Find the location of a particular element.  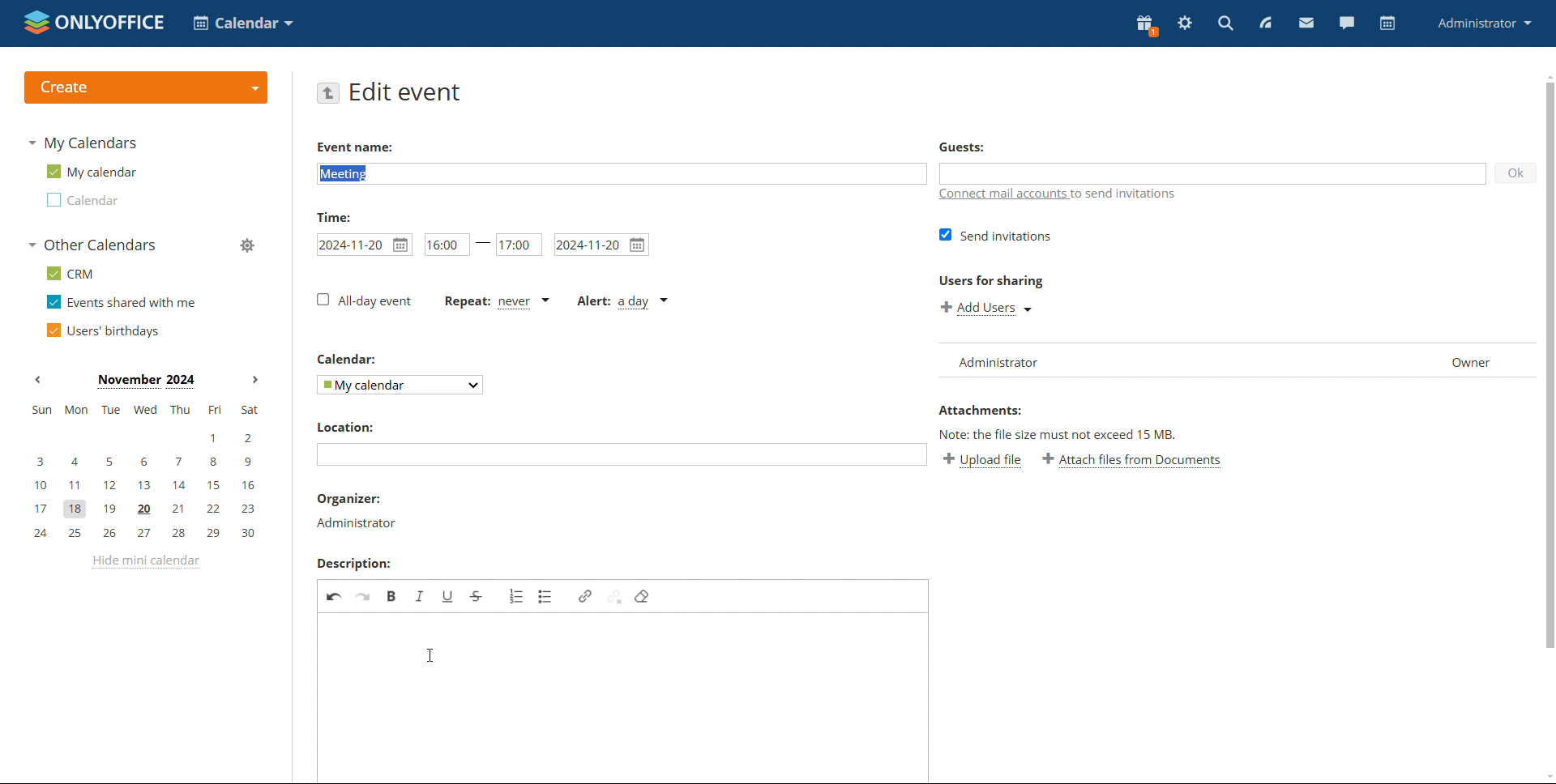

undo is located at coordinates (334, 596).